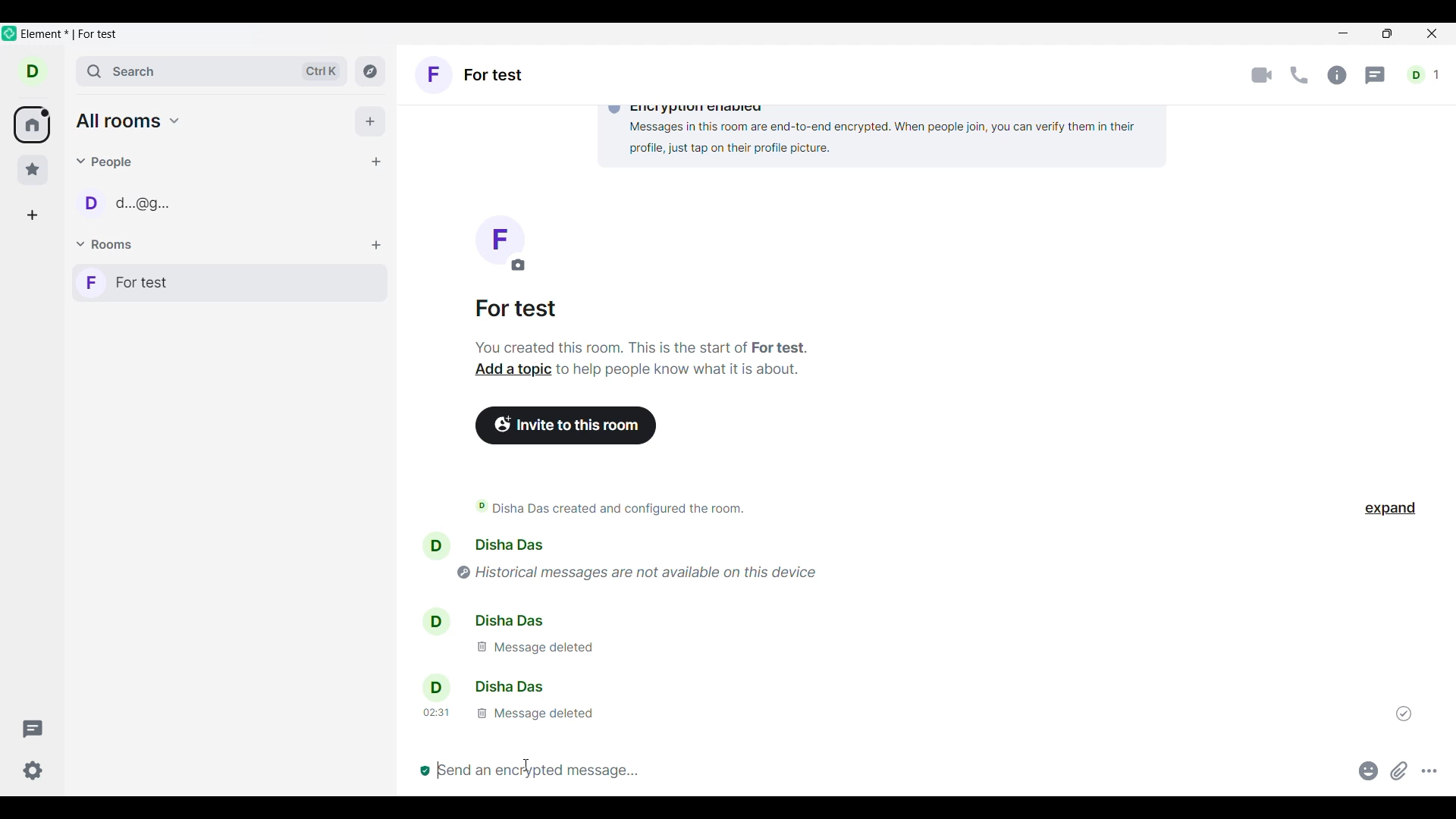 This screenshot has height=819, width=1456. I want to click on Explore rooms, so click(370, 71).